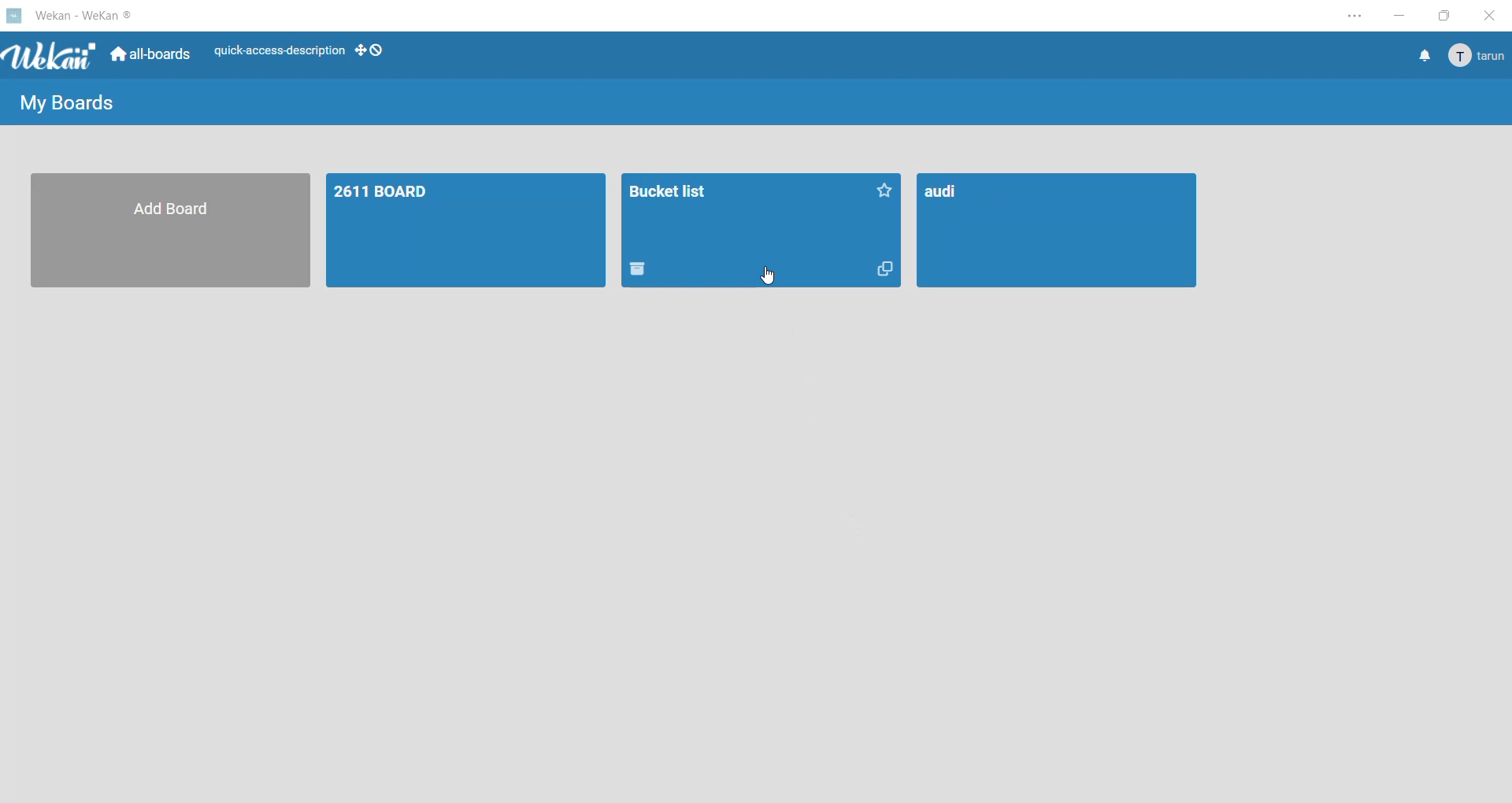 This screenshot has height=803, width=1512. Describe the element at coordinates (1417, 57) in the screenshot. I see `notifications` at that location.